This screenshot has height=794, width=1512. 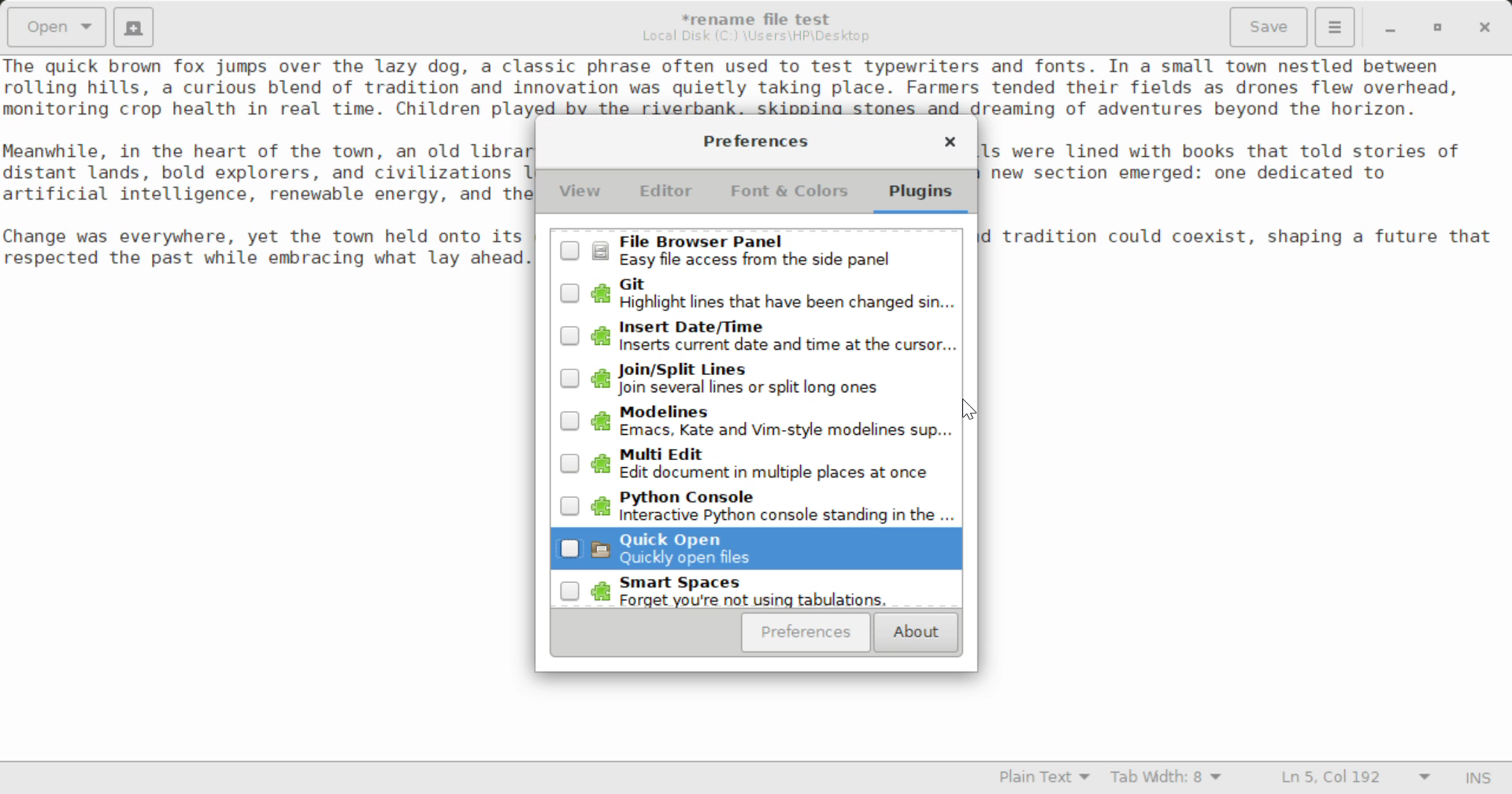 What do you see at coordinates (806, 633) in the screenshot?
I see `Preferences` at bounding box center [806, 633].